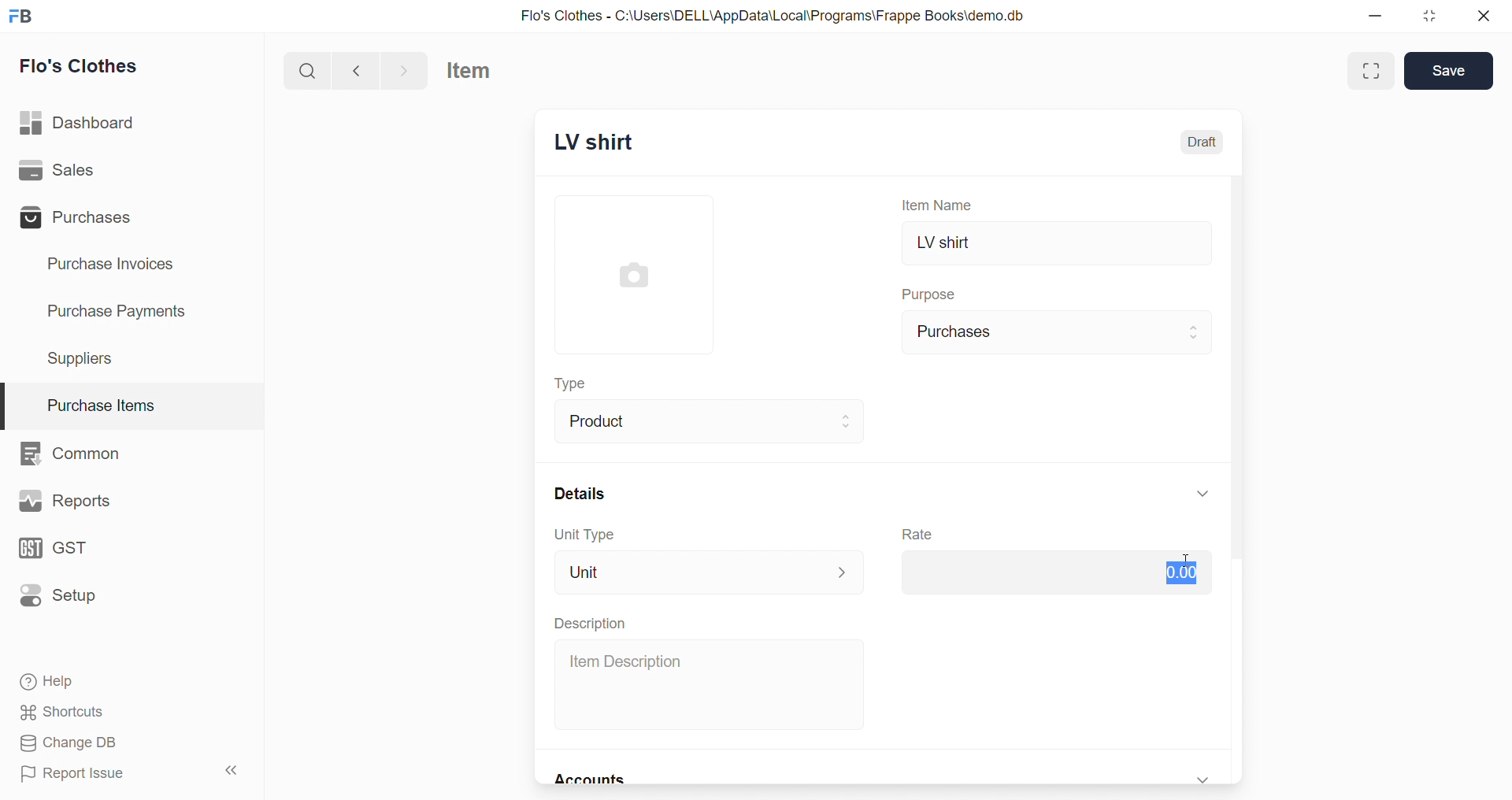 The height and width of the screenshot is (800, 1512). Describe the element at coordinates (88, 66) in the screenshot. I see `Flo's Clothes` at that location.